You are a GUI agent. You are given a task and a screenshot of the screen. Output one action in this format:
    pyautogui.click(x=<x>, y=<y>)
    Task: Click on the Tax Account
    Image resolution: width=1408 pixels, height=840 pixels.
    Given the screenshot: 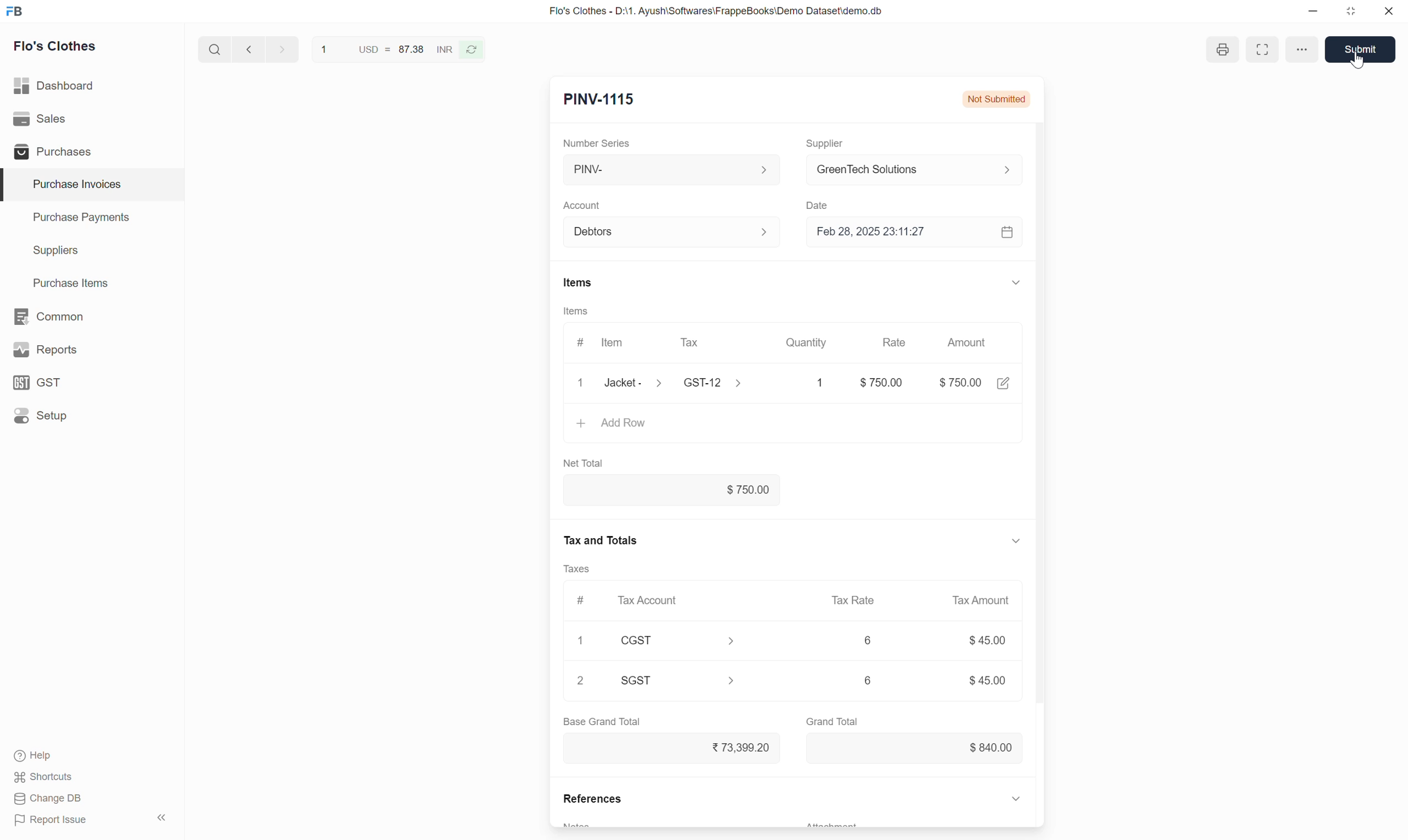 What is the action you would take?
    pyautogui.click(x=677, y=600)
    